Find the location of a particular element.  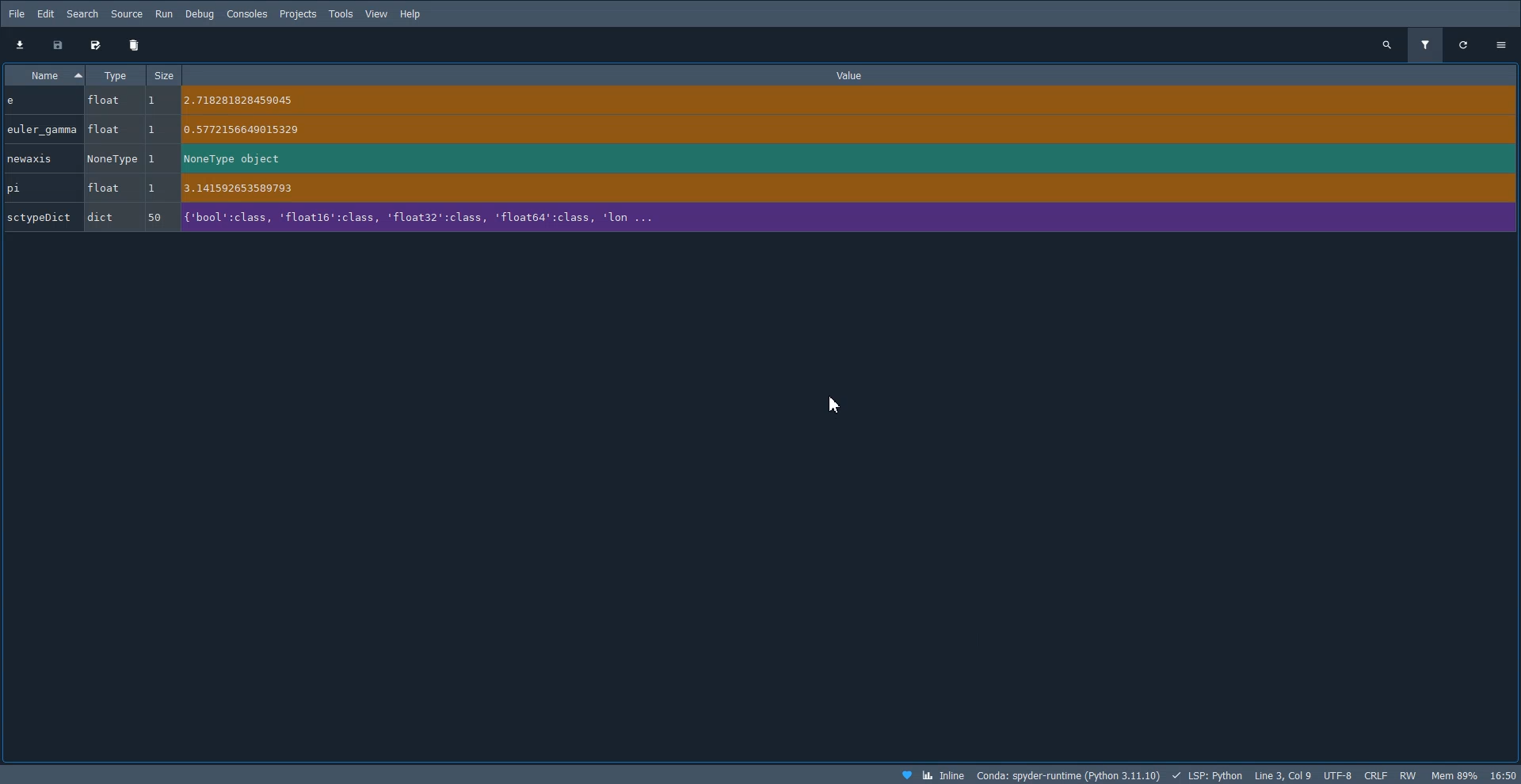

Size is located at coordinates (162, 74).